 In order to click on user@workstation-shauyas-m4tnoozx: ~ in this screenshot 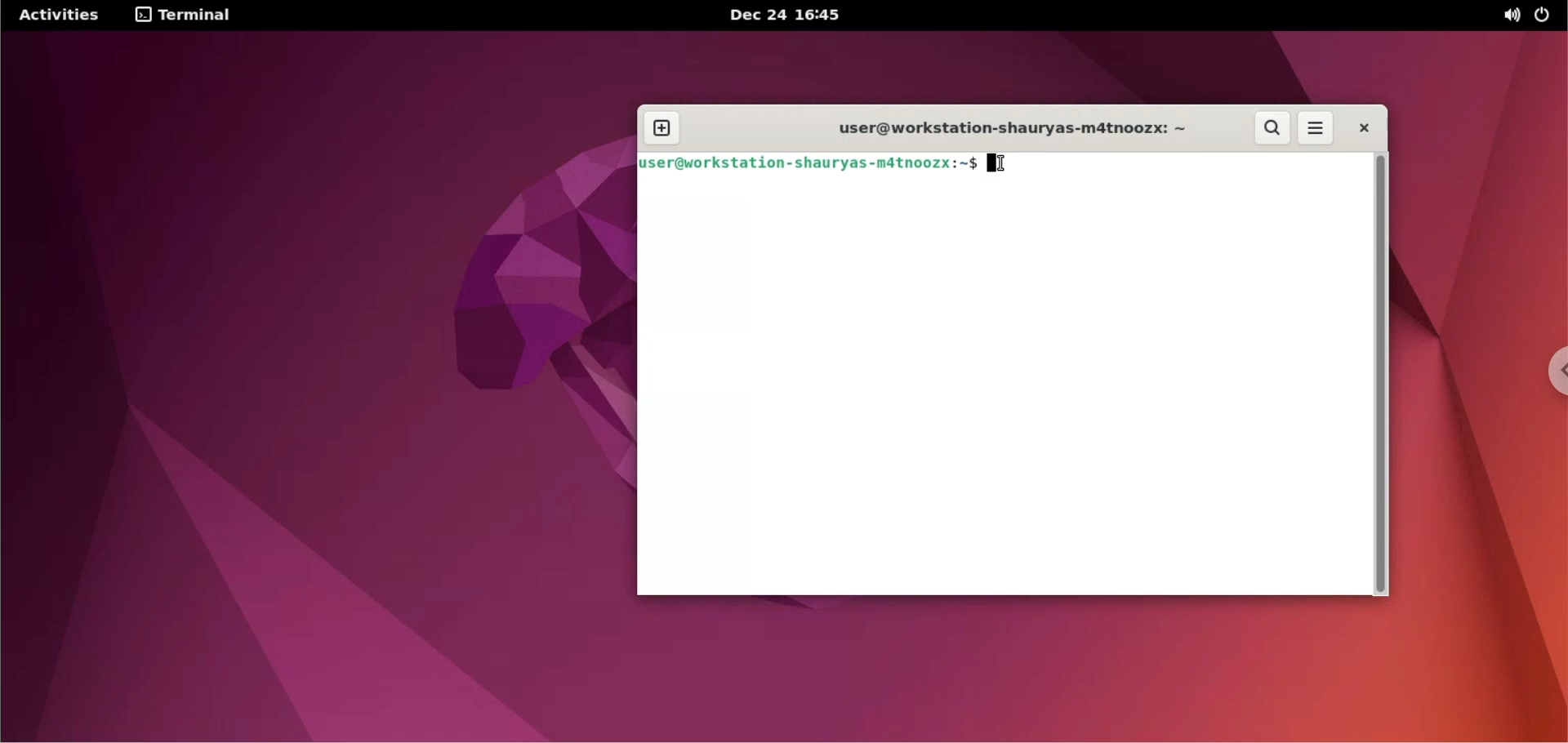, I will do `click(1000, 127)`.